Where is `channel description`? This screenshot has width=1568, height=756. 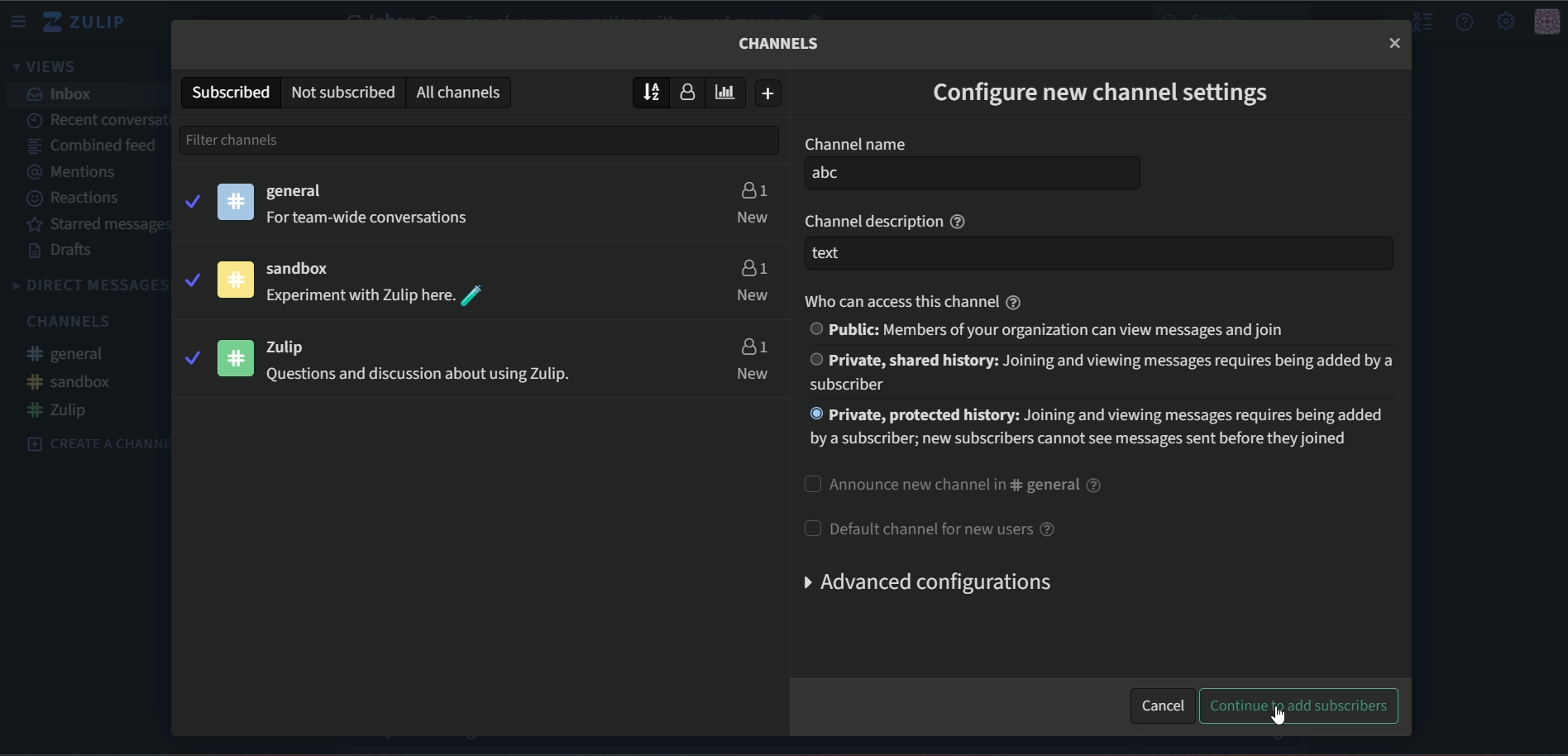 channel description is located at coordinates (889, 219).